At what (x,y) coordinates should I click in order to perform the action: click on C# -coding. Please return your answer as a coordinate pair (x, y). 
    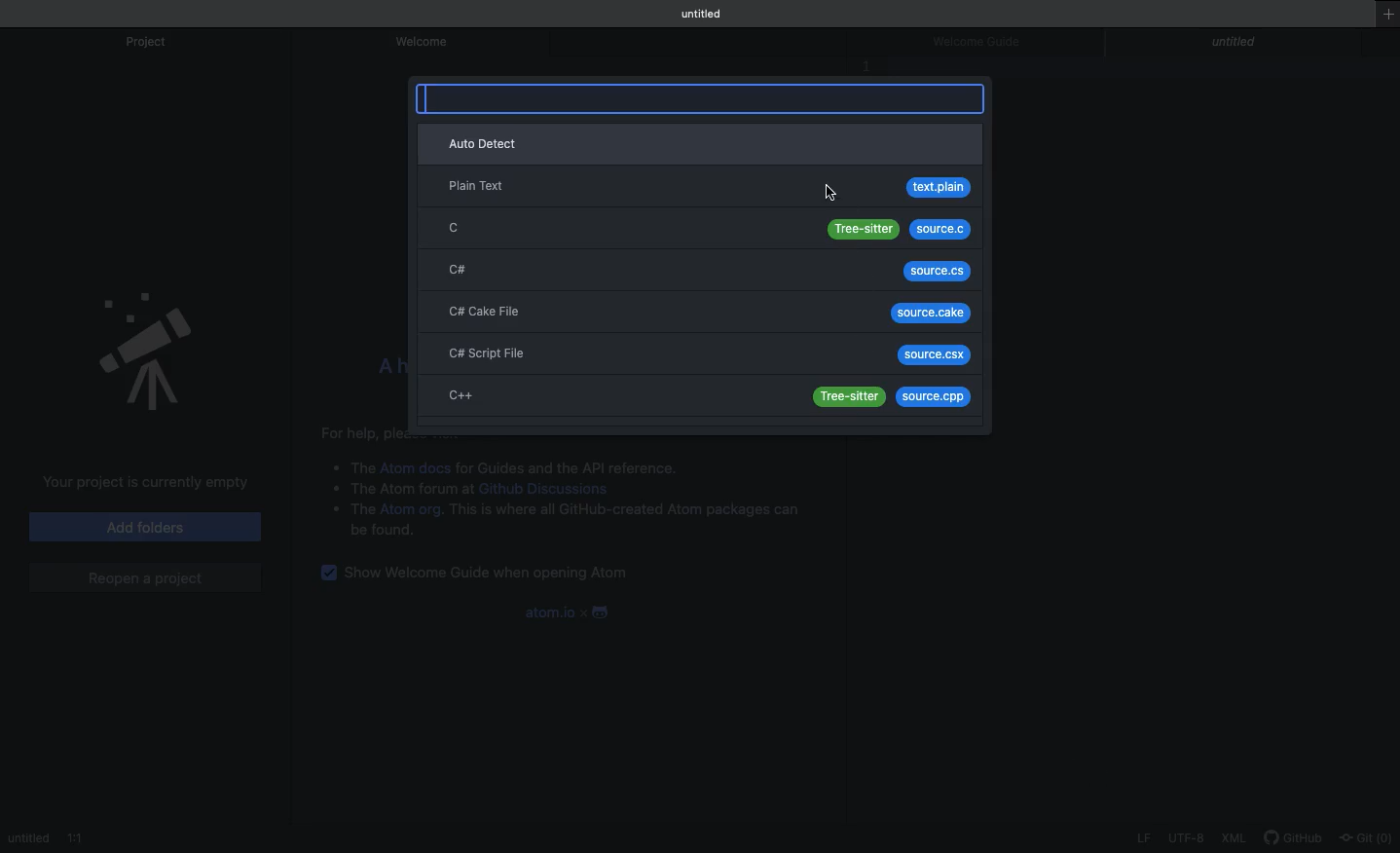
    Looking at the image, I should click on (698, 271).